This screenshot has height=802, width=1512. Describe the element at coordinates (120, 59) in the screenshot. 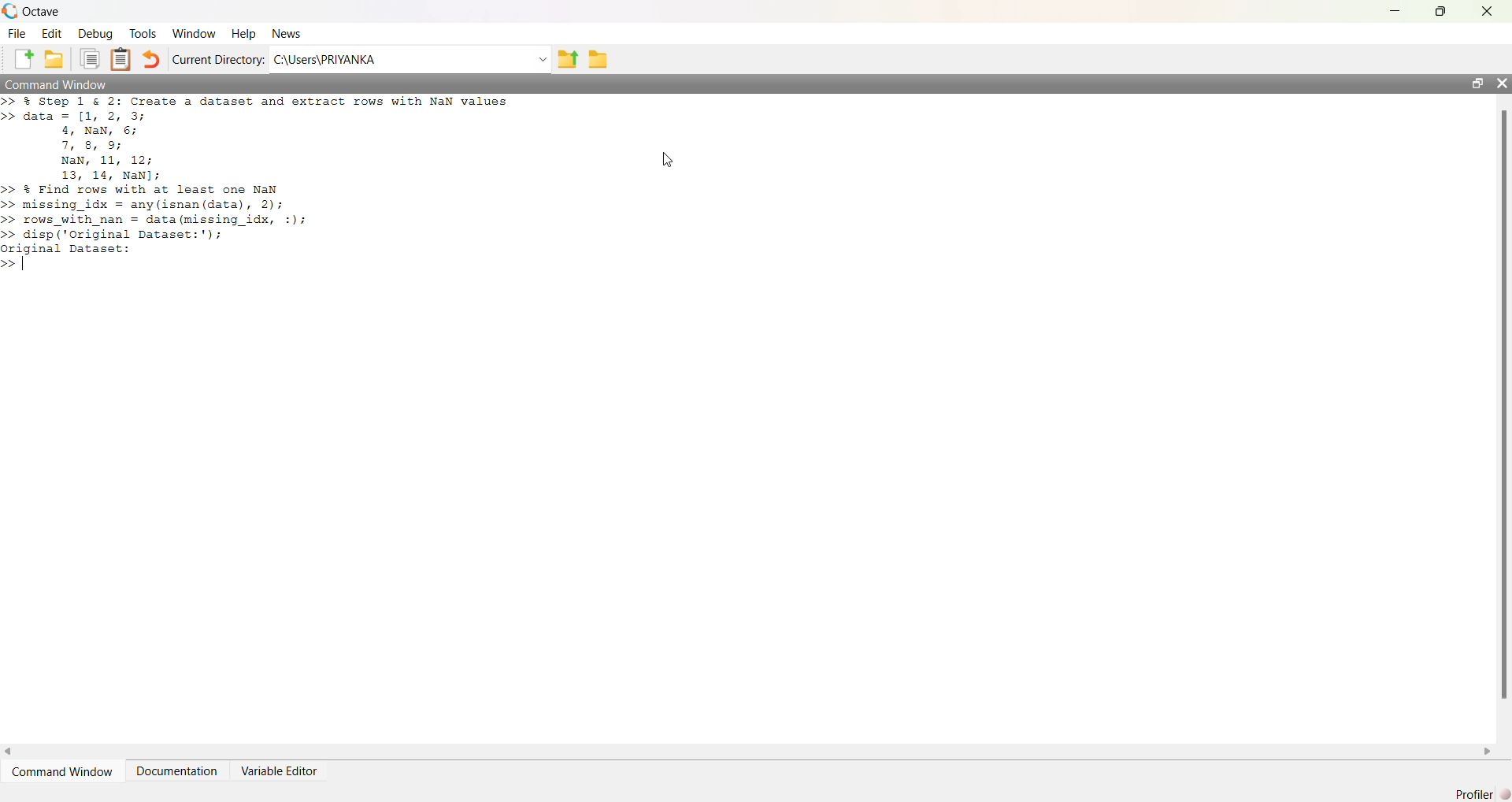

I see `Clipboard` at that location.